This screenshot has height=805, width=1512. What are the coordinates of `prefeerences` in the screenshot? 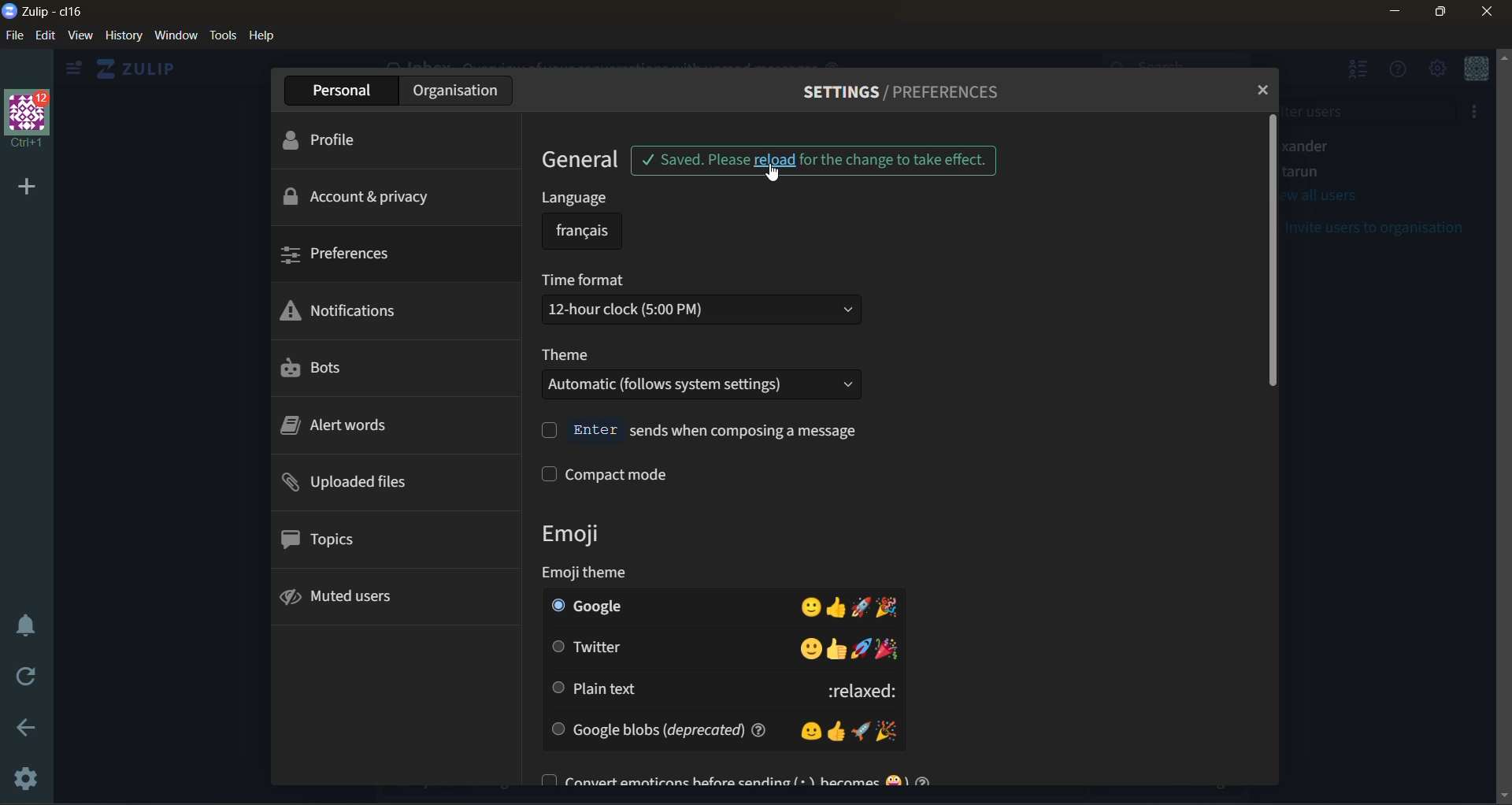 It's located at (354, 258).